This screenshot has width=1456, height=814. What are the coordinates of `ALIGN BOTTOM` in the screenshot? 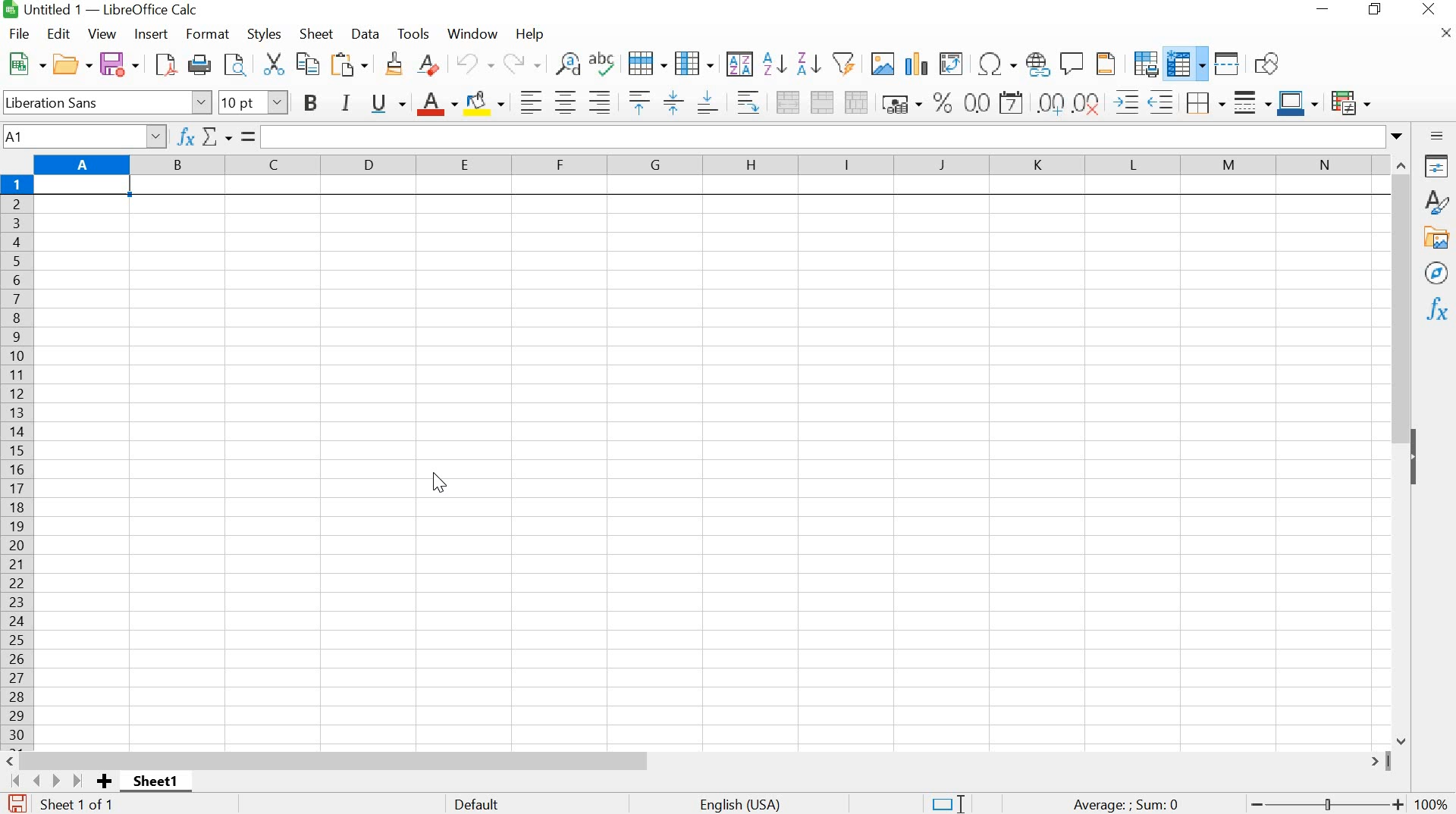 It's located at (708, 101).